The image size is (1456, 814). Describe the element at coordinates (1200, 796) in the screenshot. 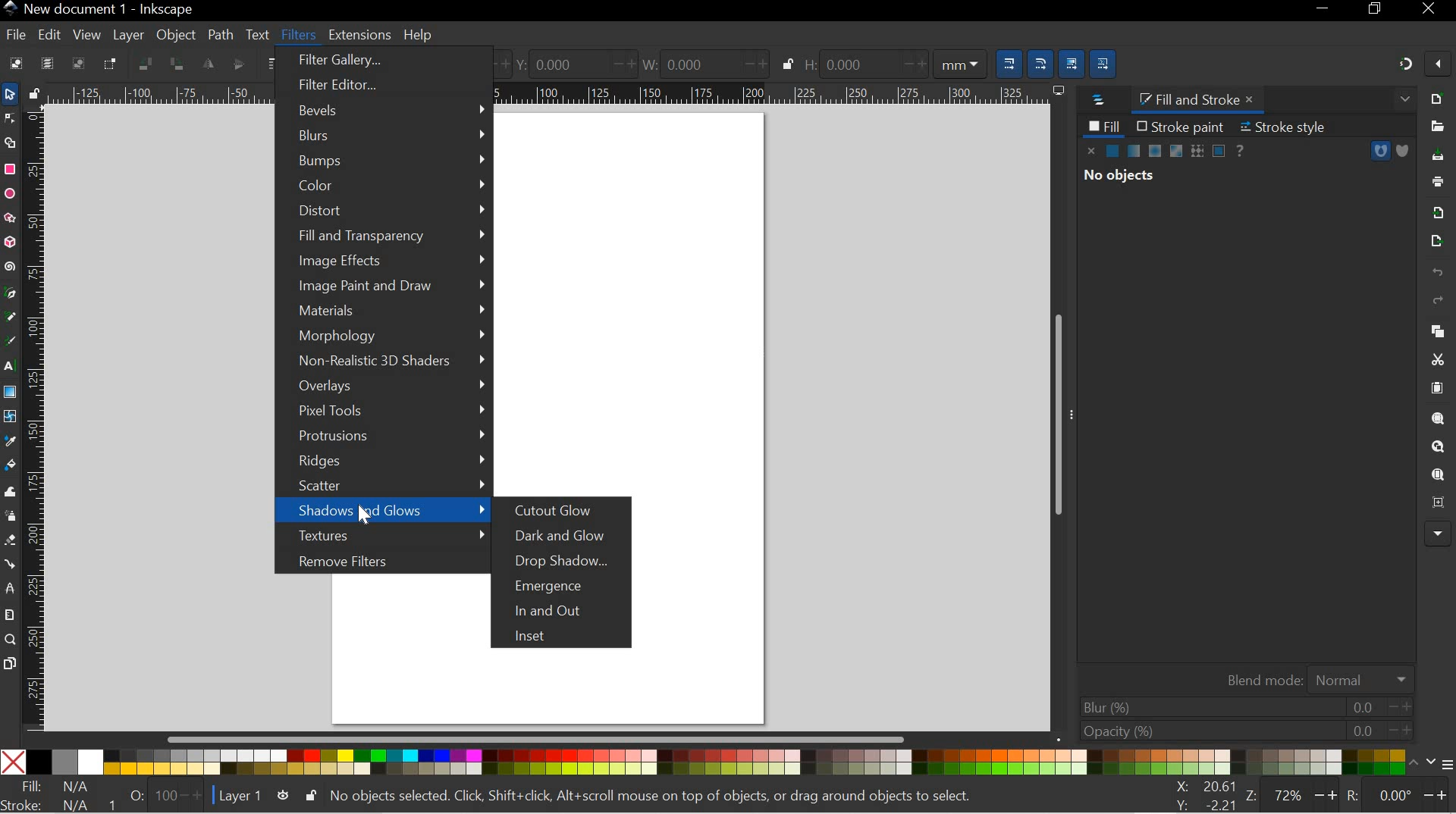

I see `Coordinates` at that location.